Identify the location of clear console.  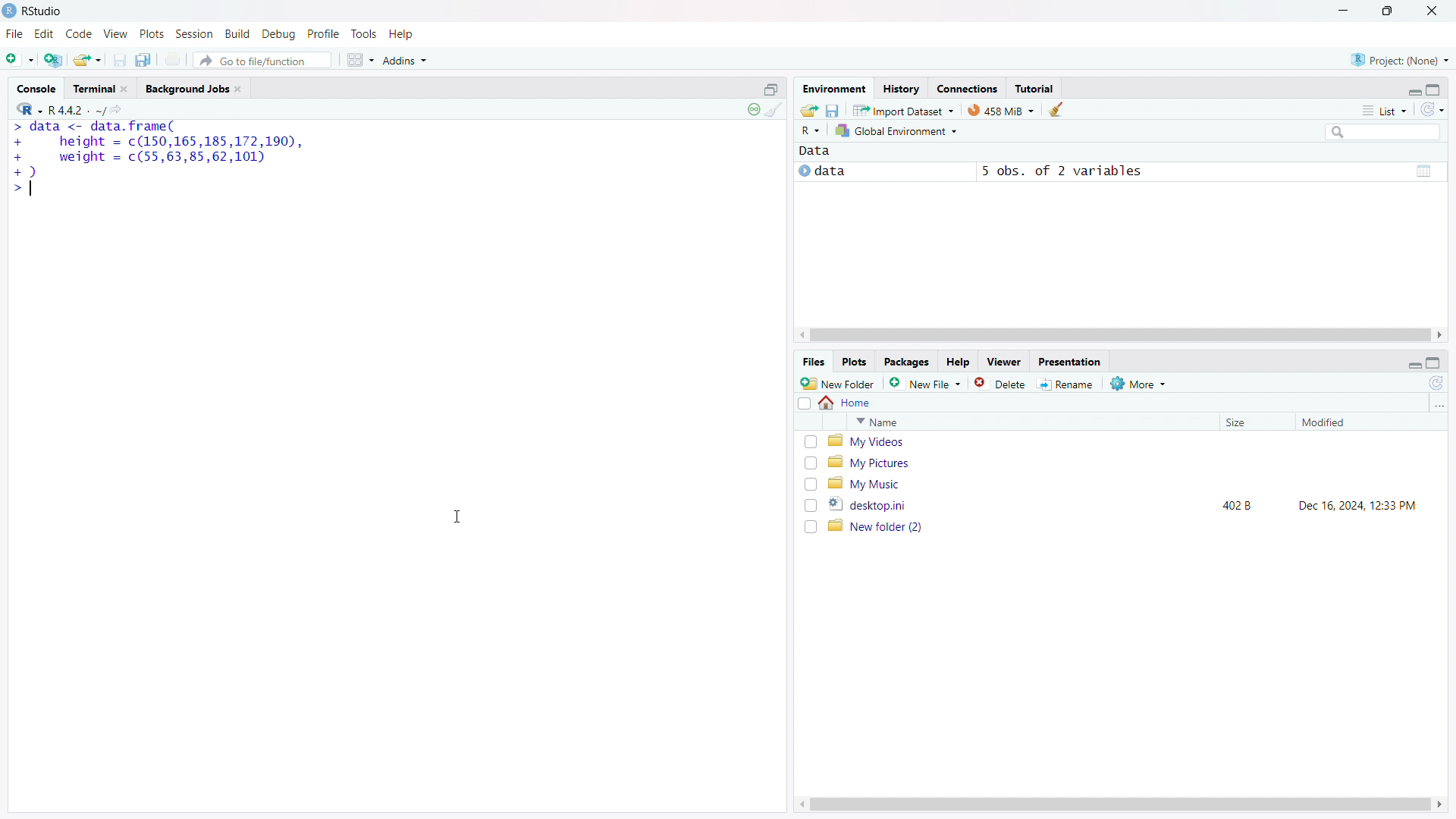
(774, 110).